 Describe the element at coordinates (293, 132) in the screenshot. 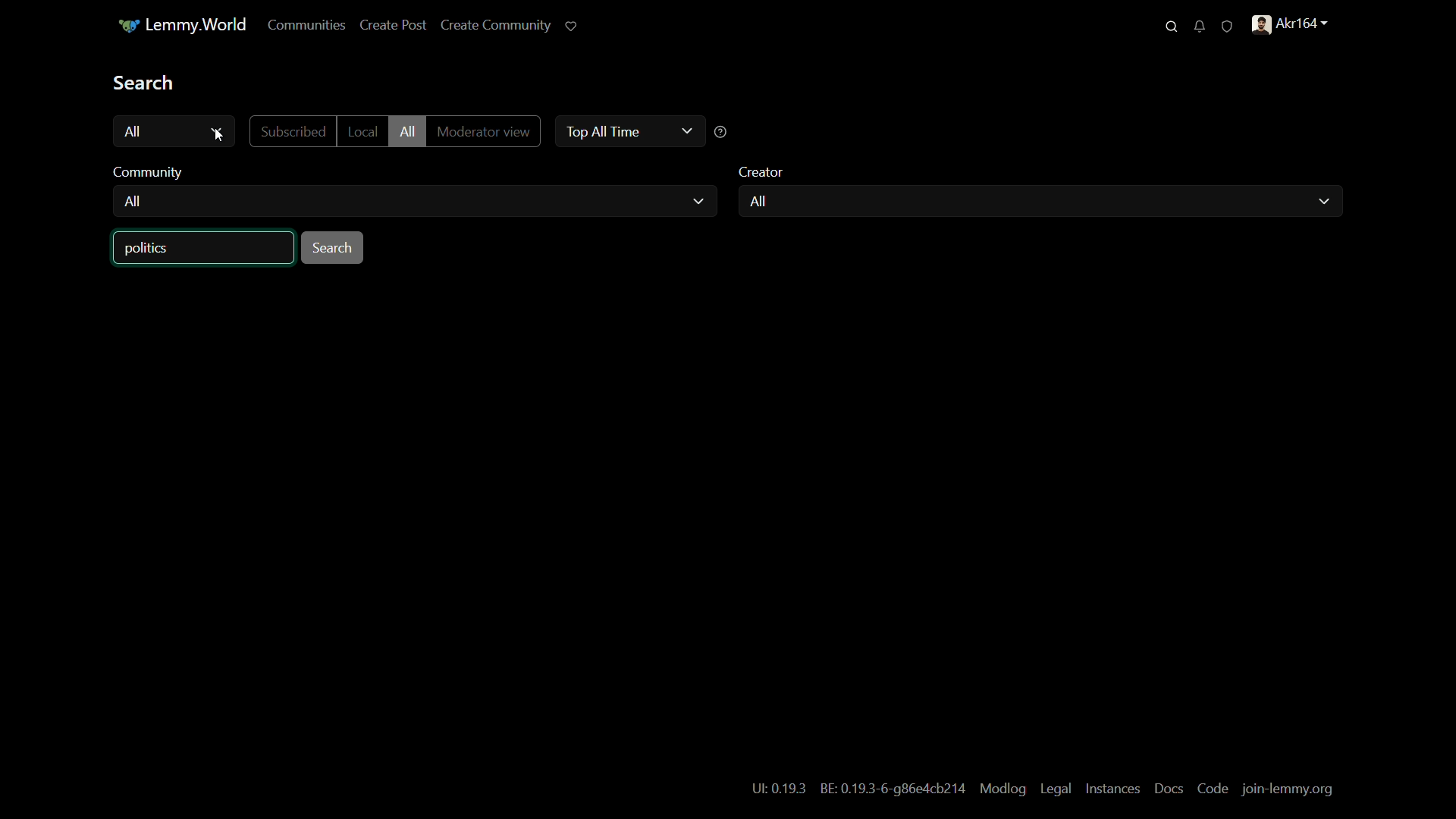

I see `subscribed` at that location.